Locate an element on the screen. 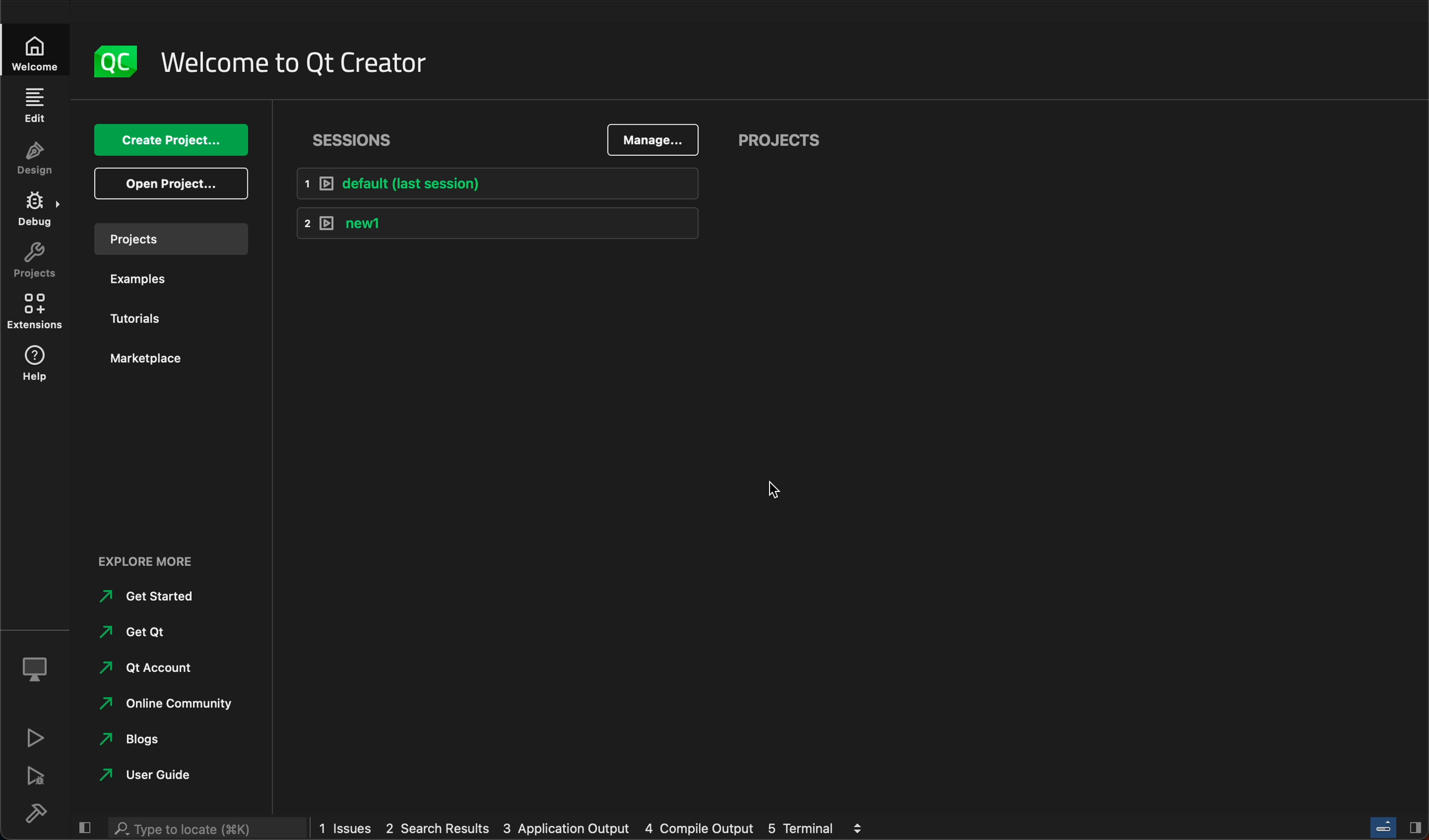 This screenshot has height=840, width=1429. Sessions is located at coordinates (366, 137).